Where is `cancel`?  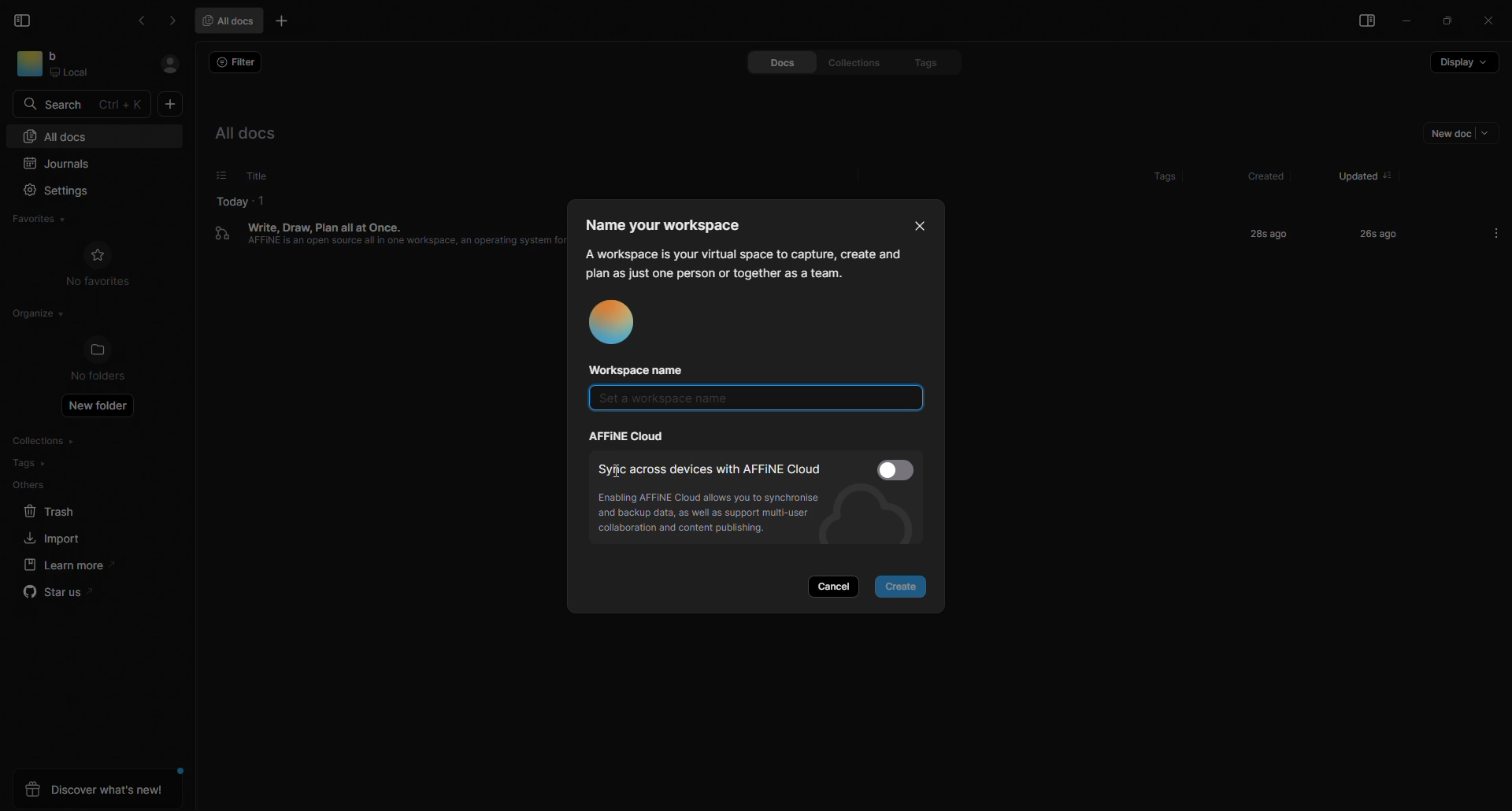
cancel is located at coordinates (838, 586).